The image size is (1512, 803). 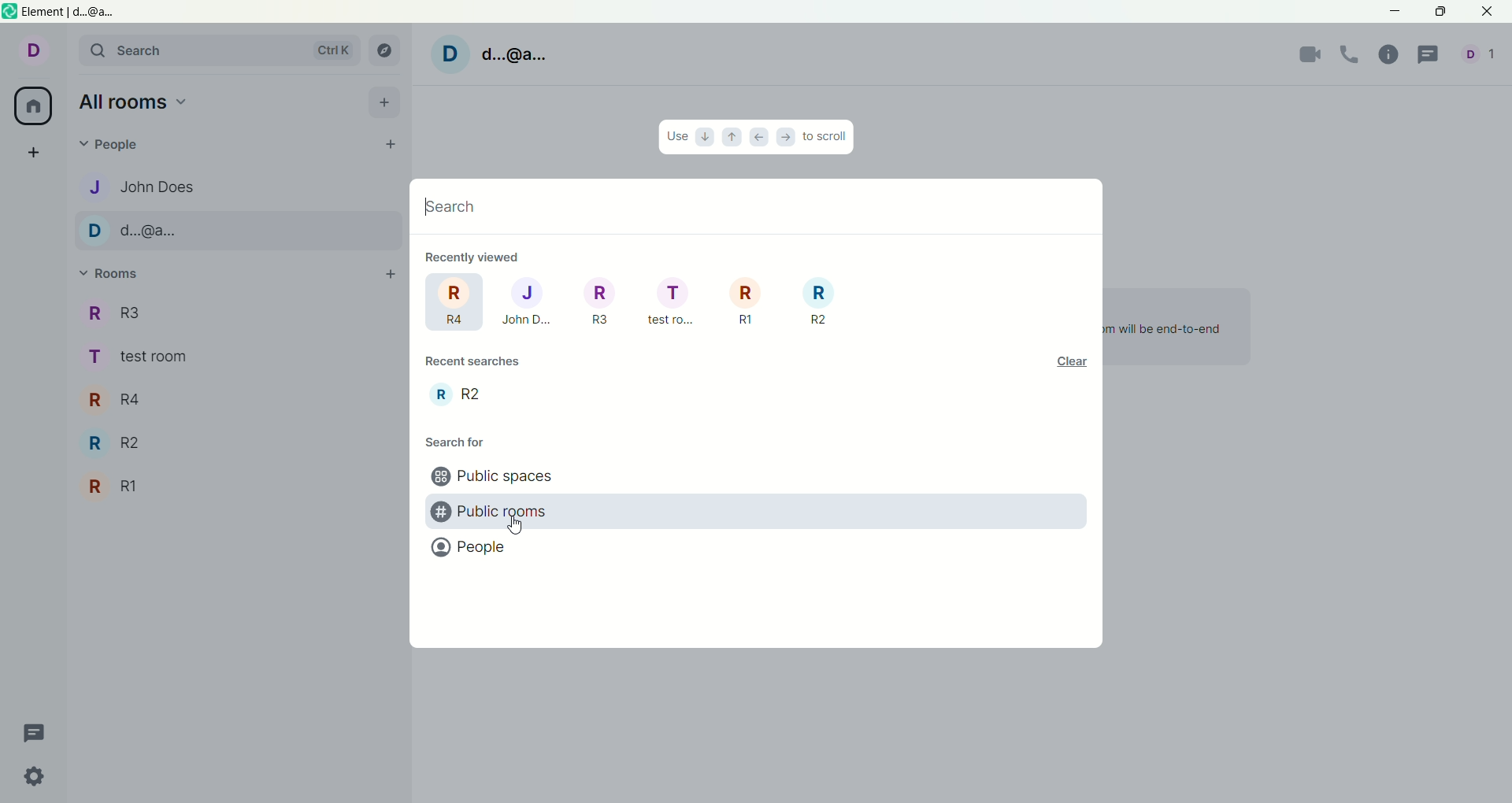 What do you see at coordinates (219, 50) in the screenshot?
I see `search` at bounding box center [219, 50].